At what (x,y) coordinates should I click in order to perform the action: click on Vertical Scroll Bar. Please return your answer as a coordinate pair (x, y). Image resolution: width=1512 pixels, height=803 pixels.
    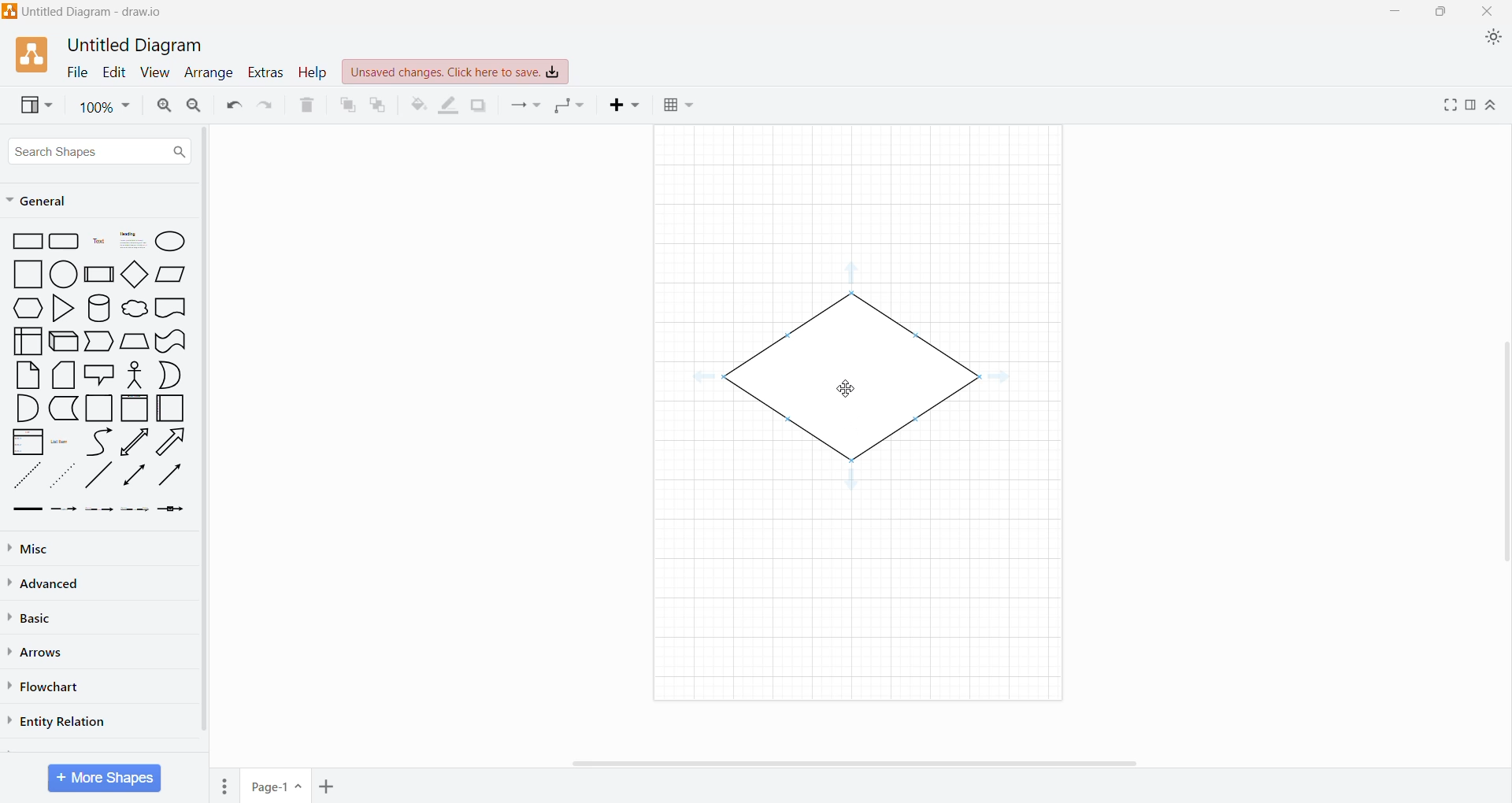
    Looking at the image, I should click on (208, 442).